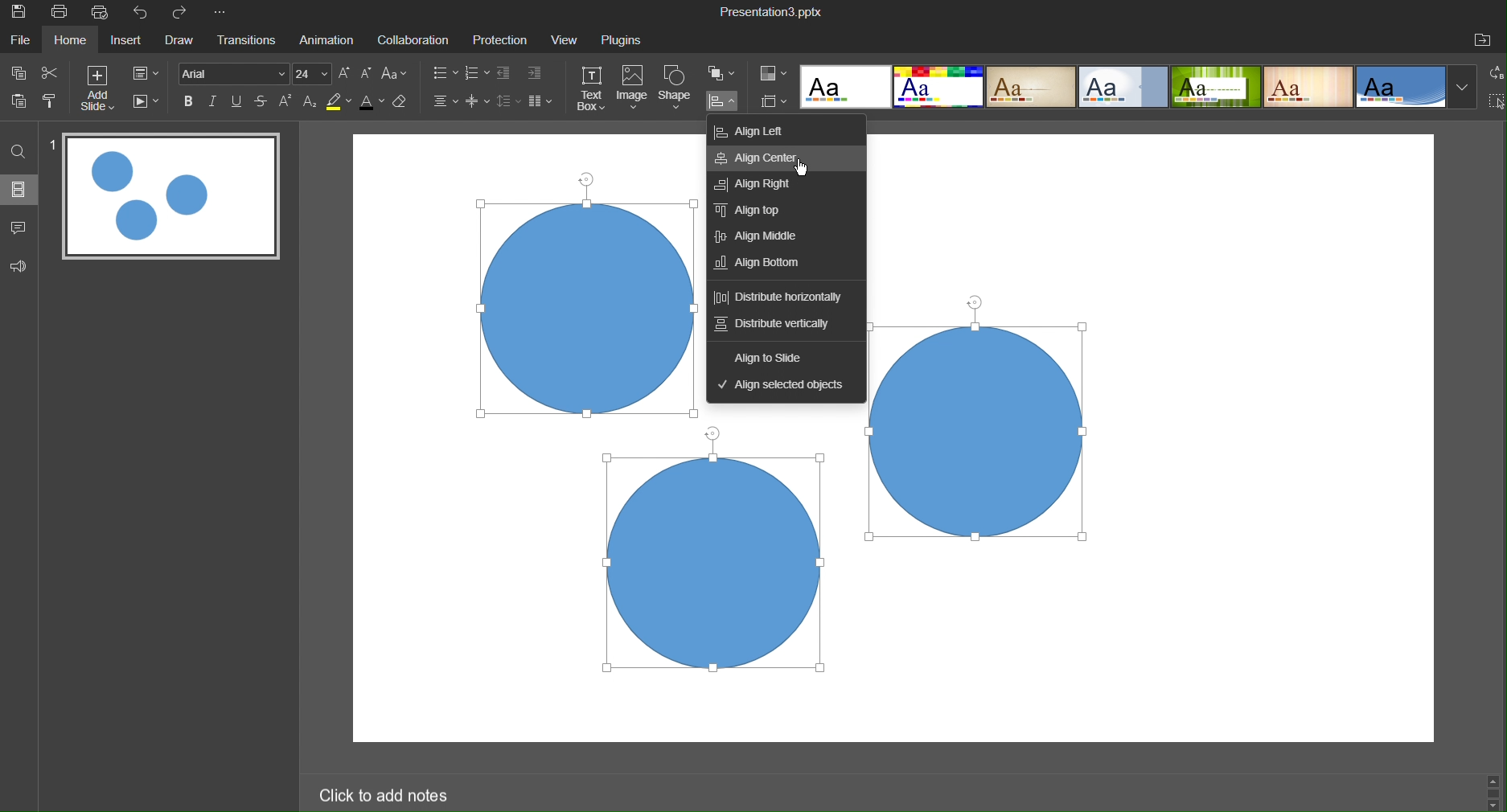 The image size is (1507, 812). I want to click on Click to add notes, so click(387, 794).